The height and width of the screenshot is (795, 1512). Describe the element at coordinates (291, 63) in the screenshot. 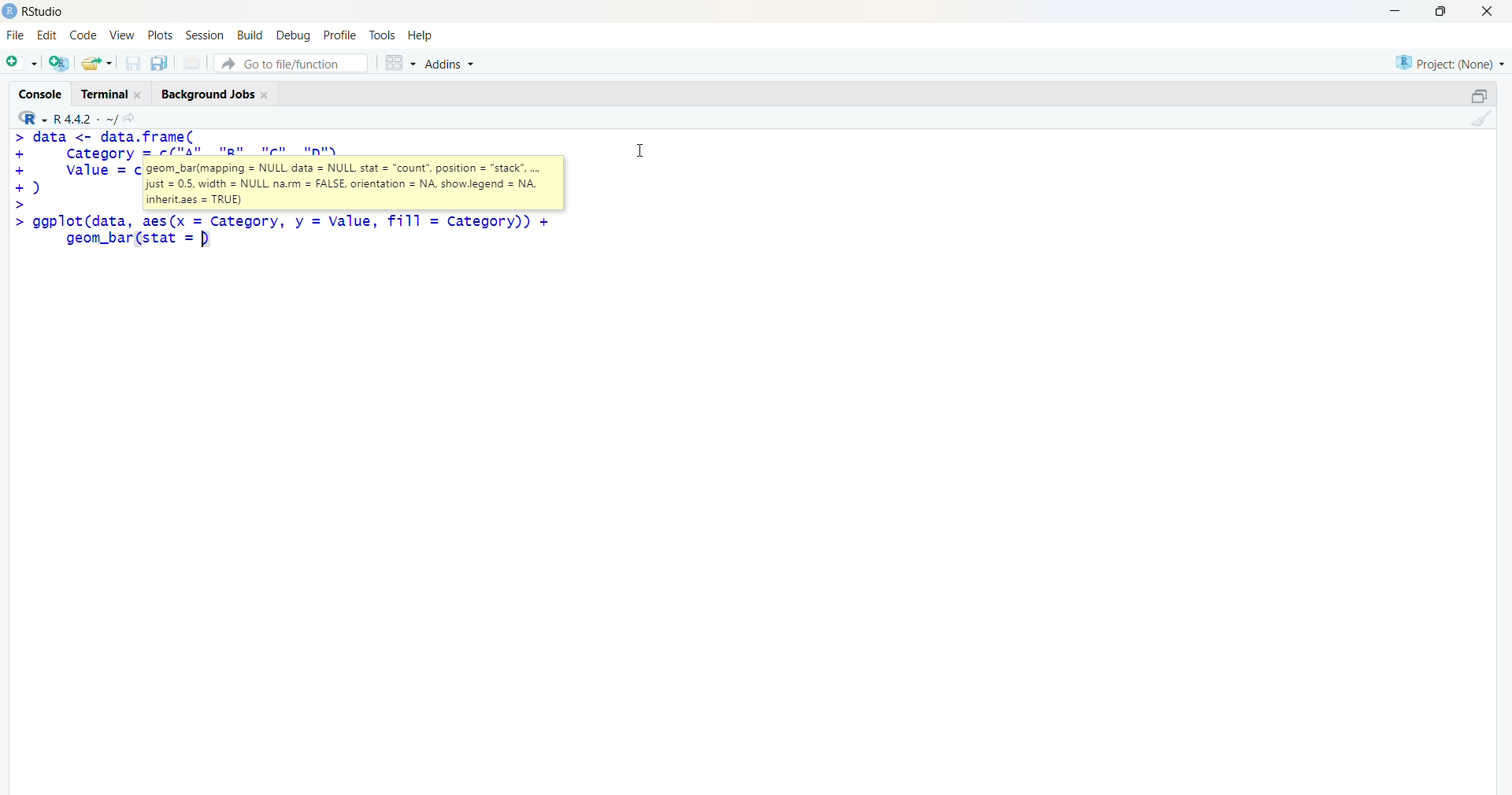

I see `# Go to file/function` at that location.